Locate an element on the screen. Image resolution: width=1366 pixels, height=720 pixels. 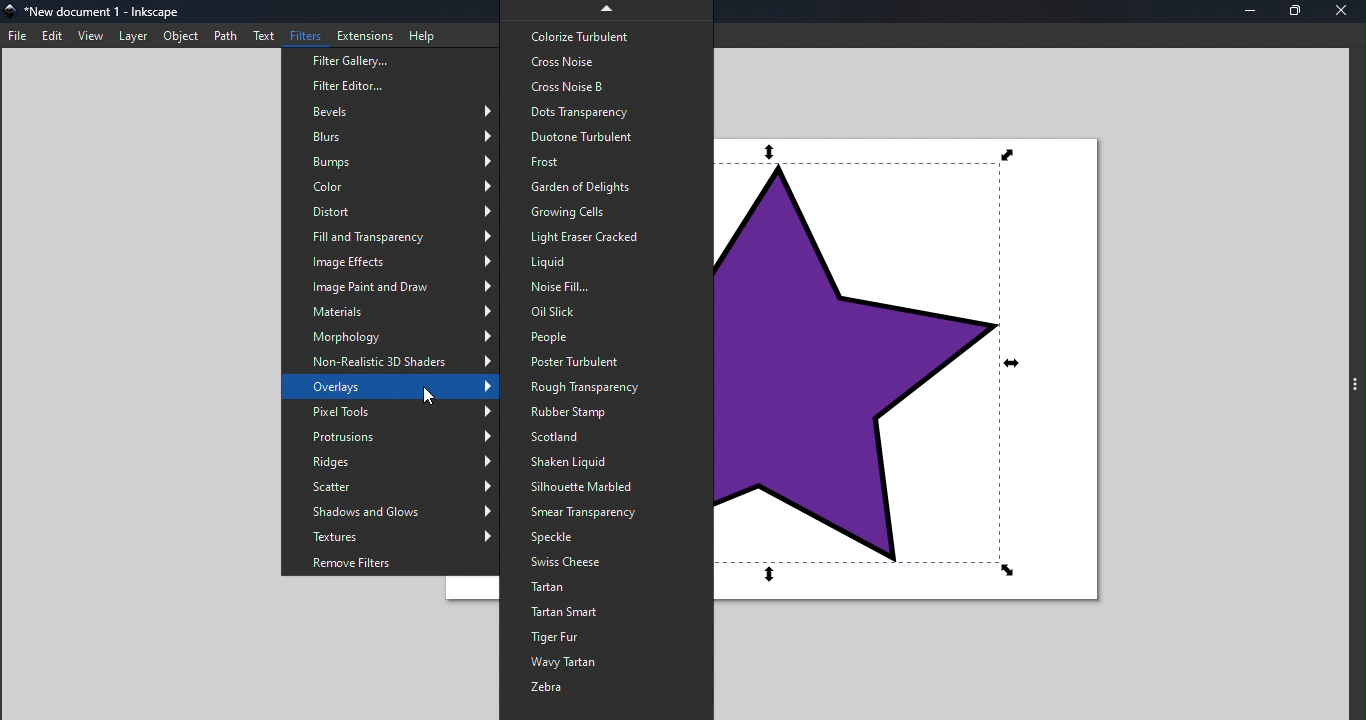
Tiger and fur is located at coordinates (608, 639).